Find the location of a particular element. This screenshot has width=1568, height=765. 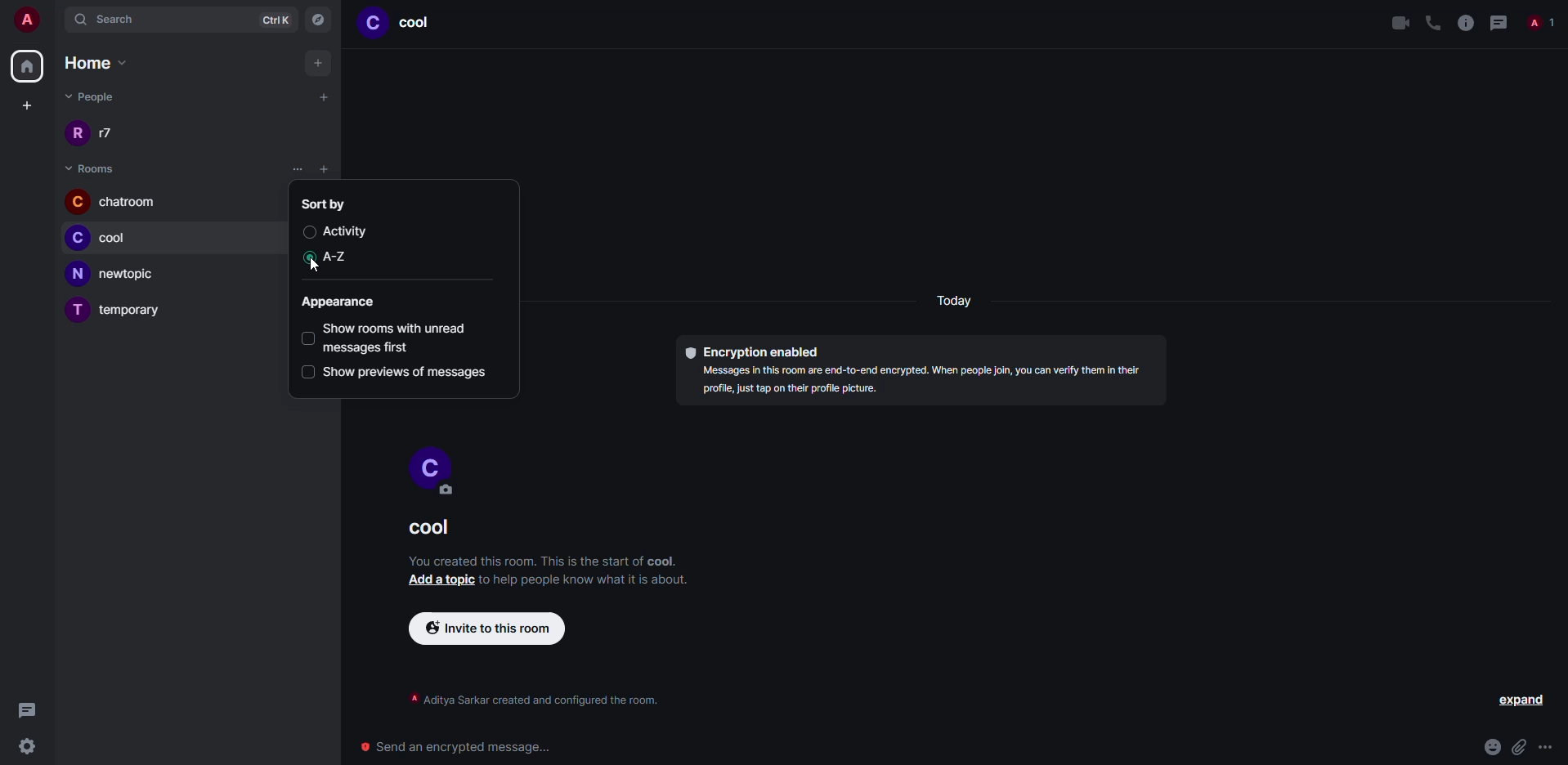

expand is located at coordinates (1525, 698).